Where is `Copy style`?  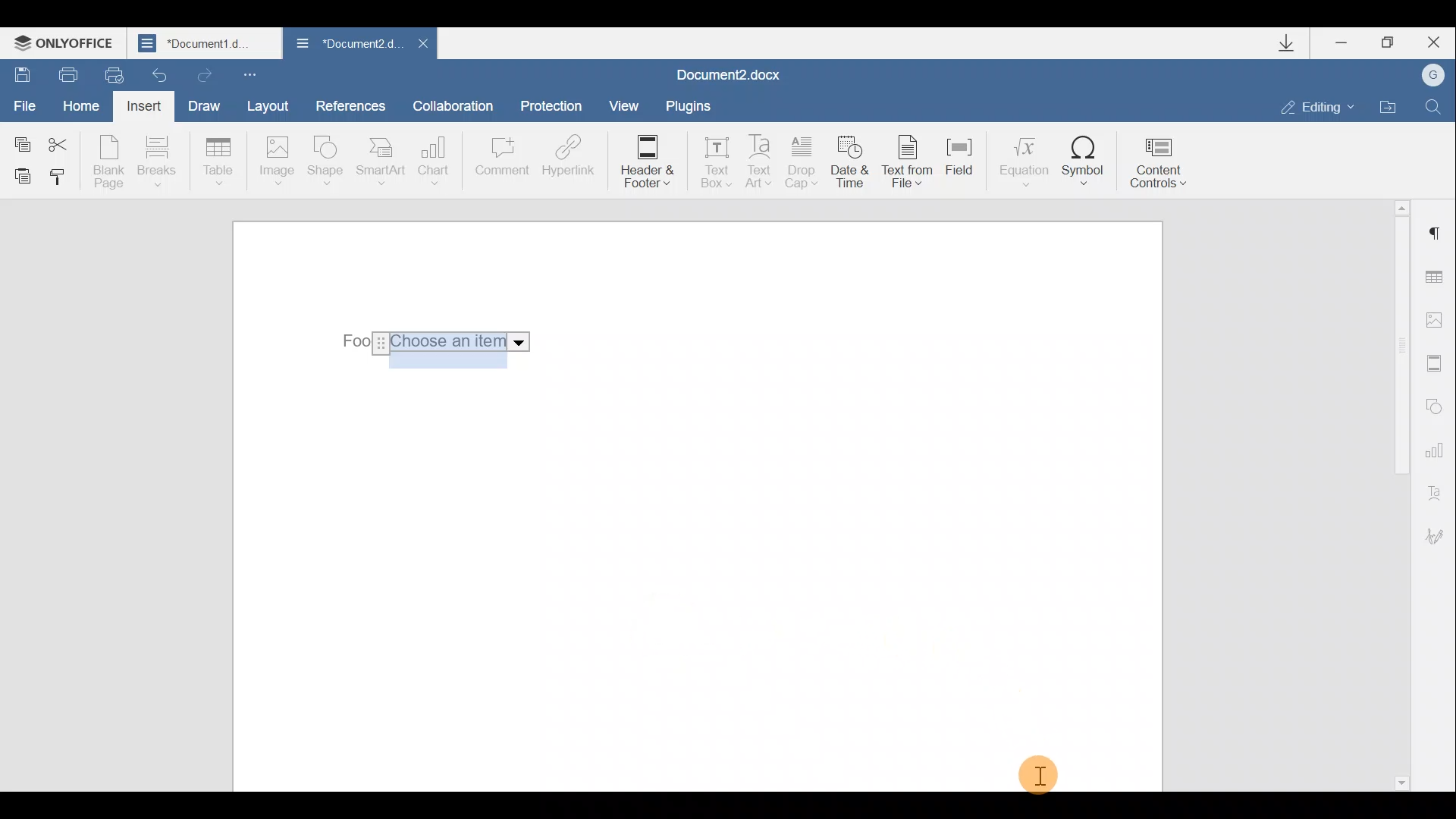 Copy style is located at coordinates (59, 180).